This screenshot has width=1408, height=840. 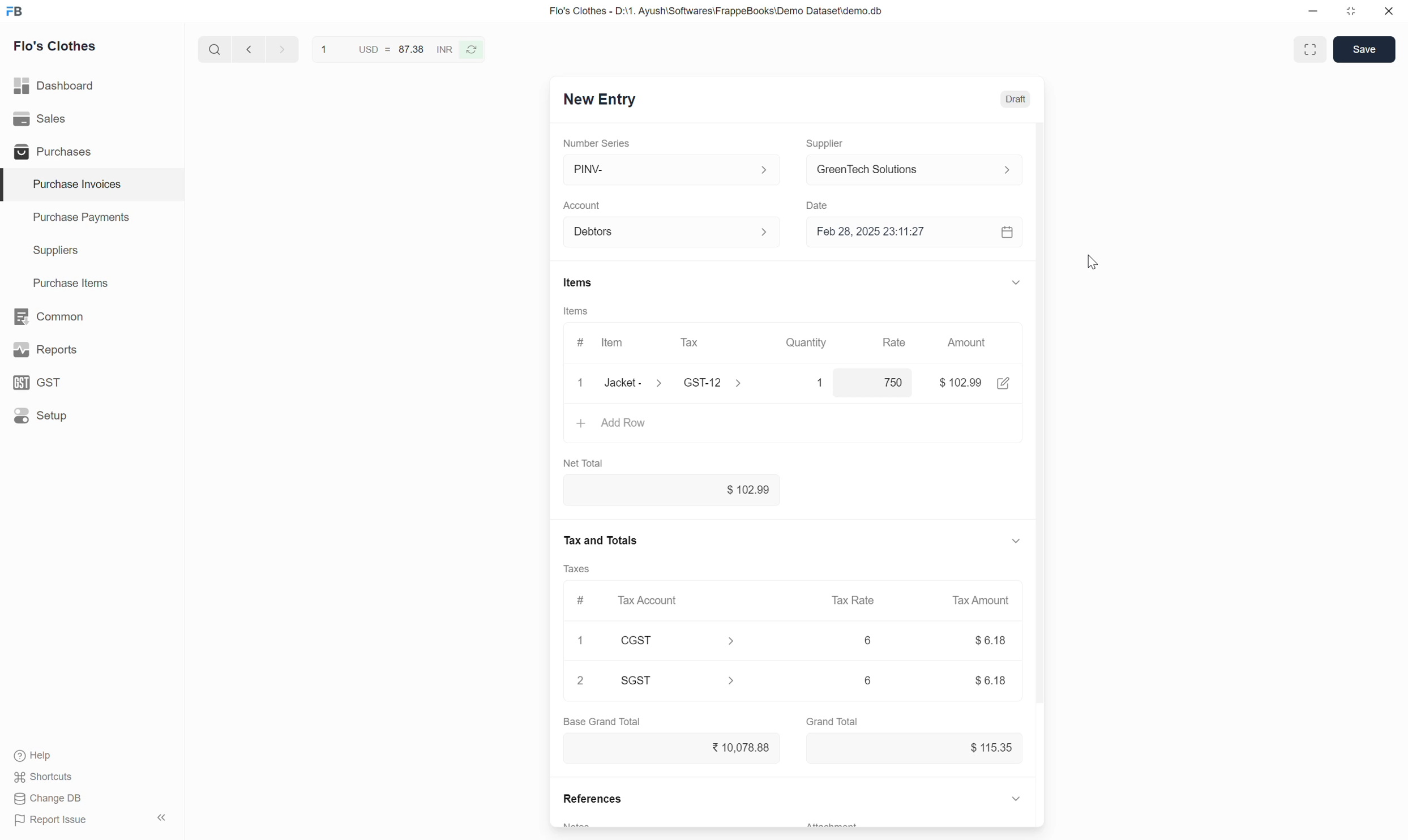 What do you see at coordinates (592, 798) in the screenshot?
I see `References` at bounding box center [592, 798].